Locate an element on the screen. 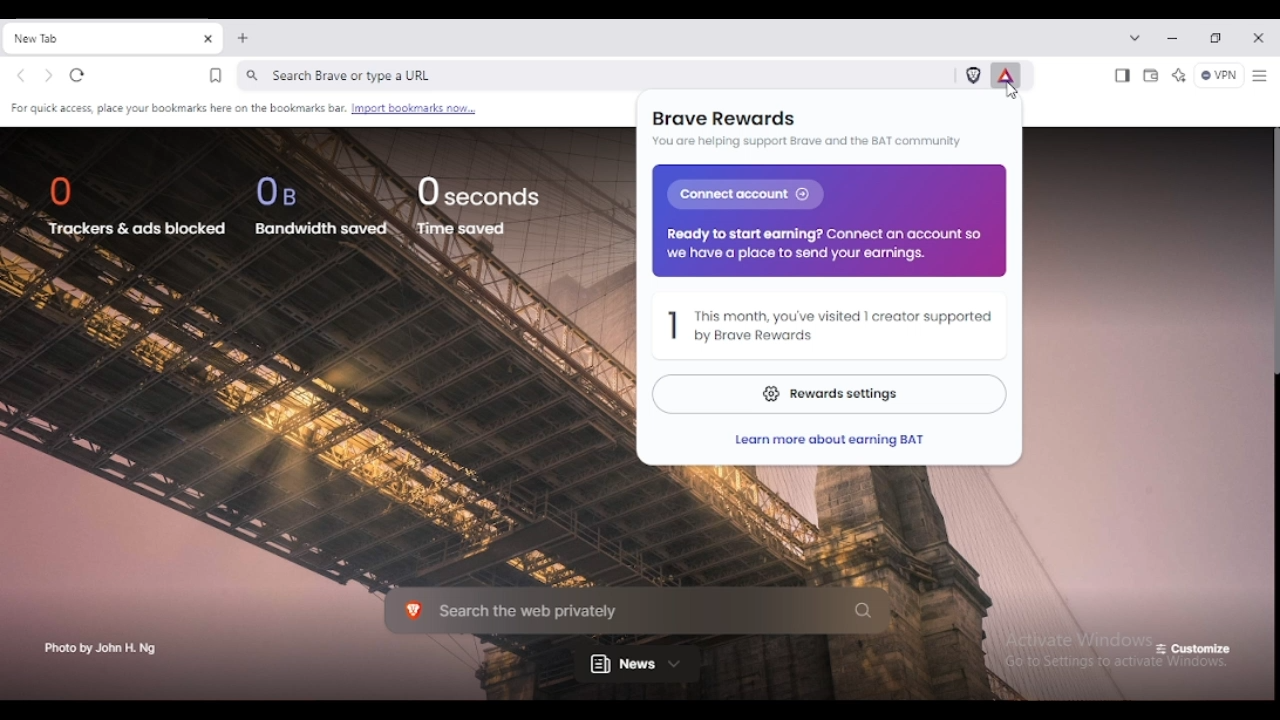 The width and height of the screenshot is (1280, 720). maximize is located at coordinates (1216, 38).